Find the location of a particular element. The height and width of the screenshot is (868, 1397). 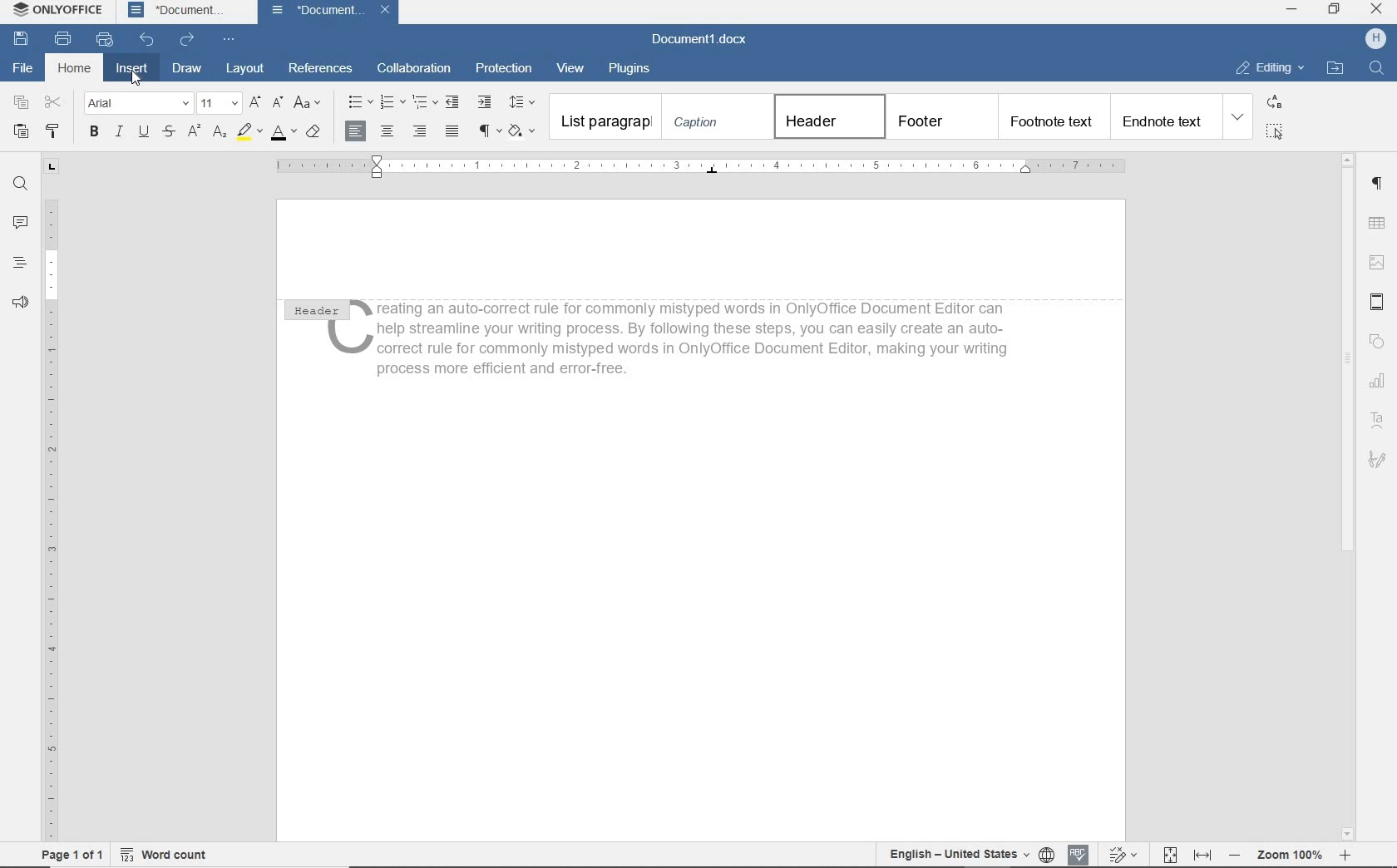

Search is located at coordinates (1375, 67).